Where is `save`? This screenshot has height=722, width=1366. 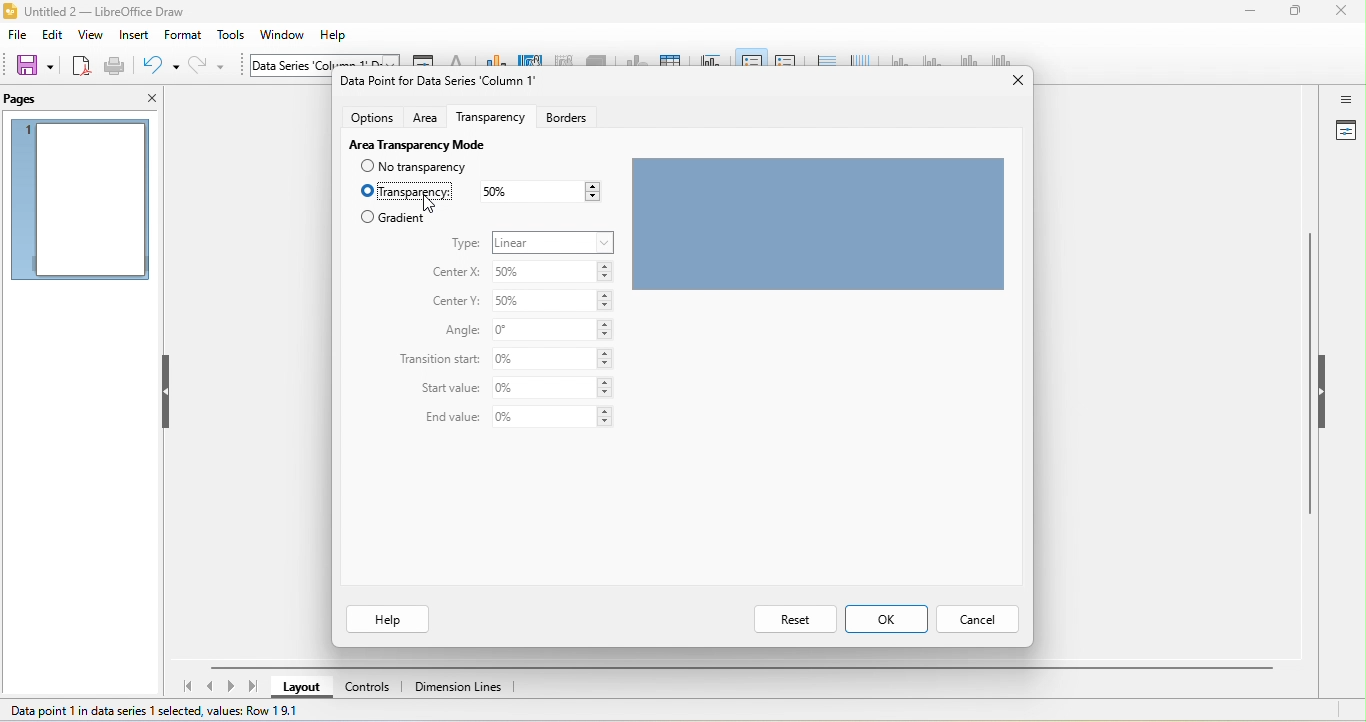 save is located at coordinates (34, 65).